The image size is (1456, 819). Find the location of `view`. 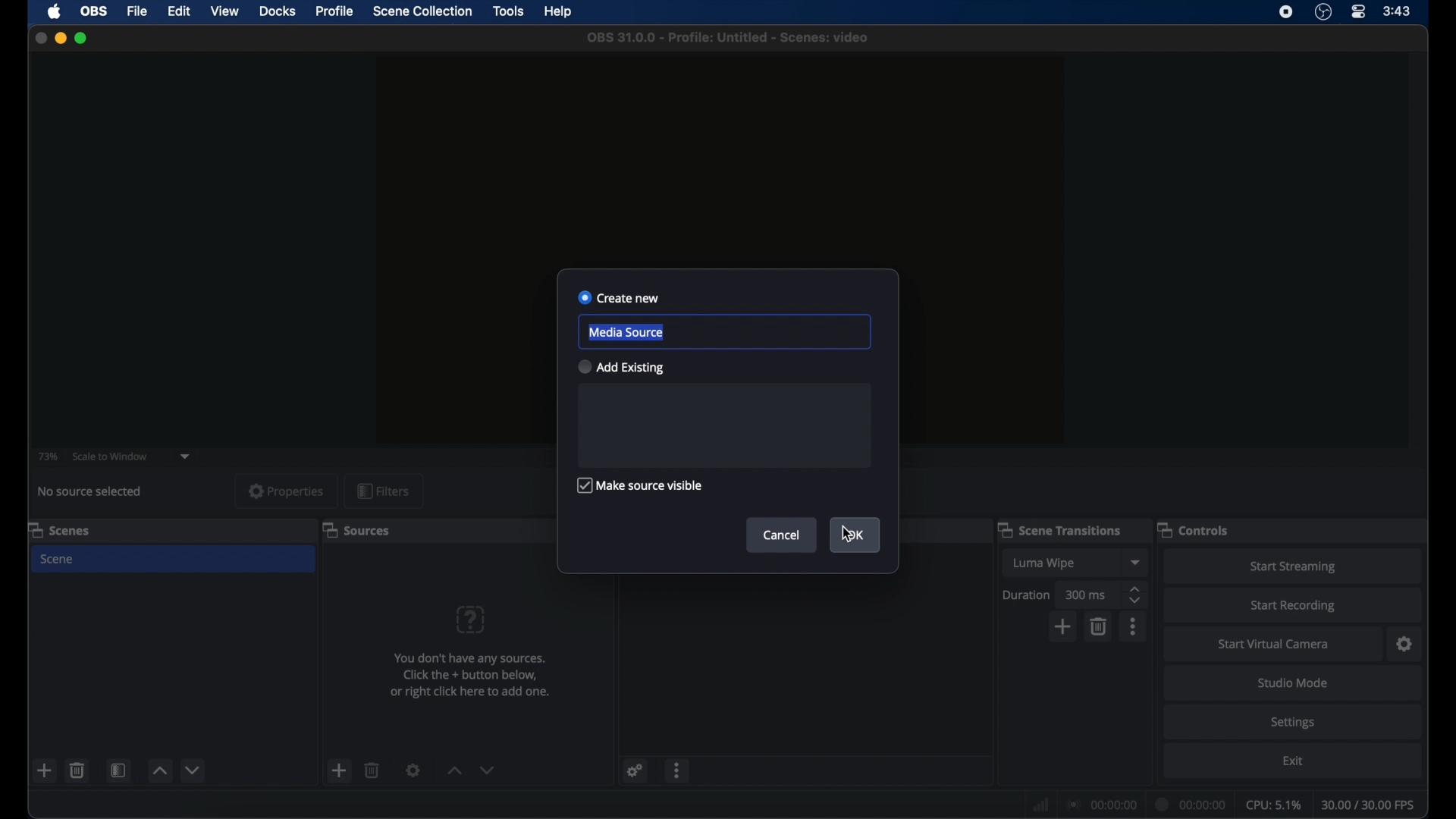

view is located at coordinates (224, 10).